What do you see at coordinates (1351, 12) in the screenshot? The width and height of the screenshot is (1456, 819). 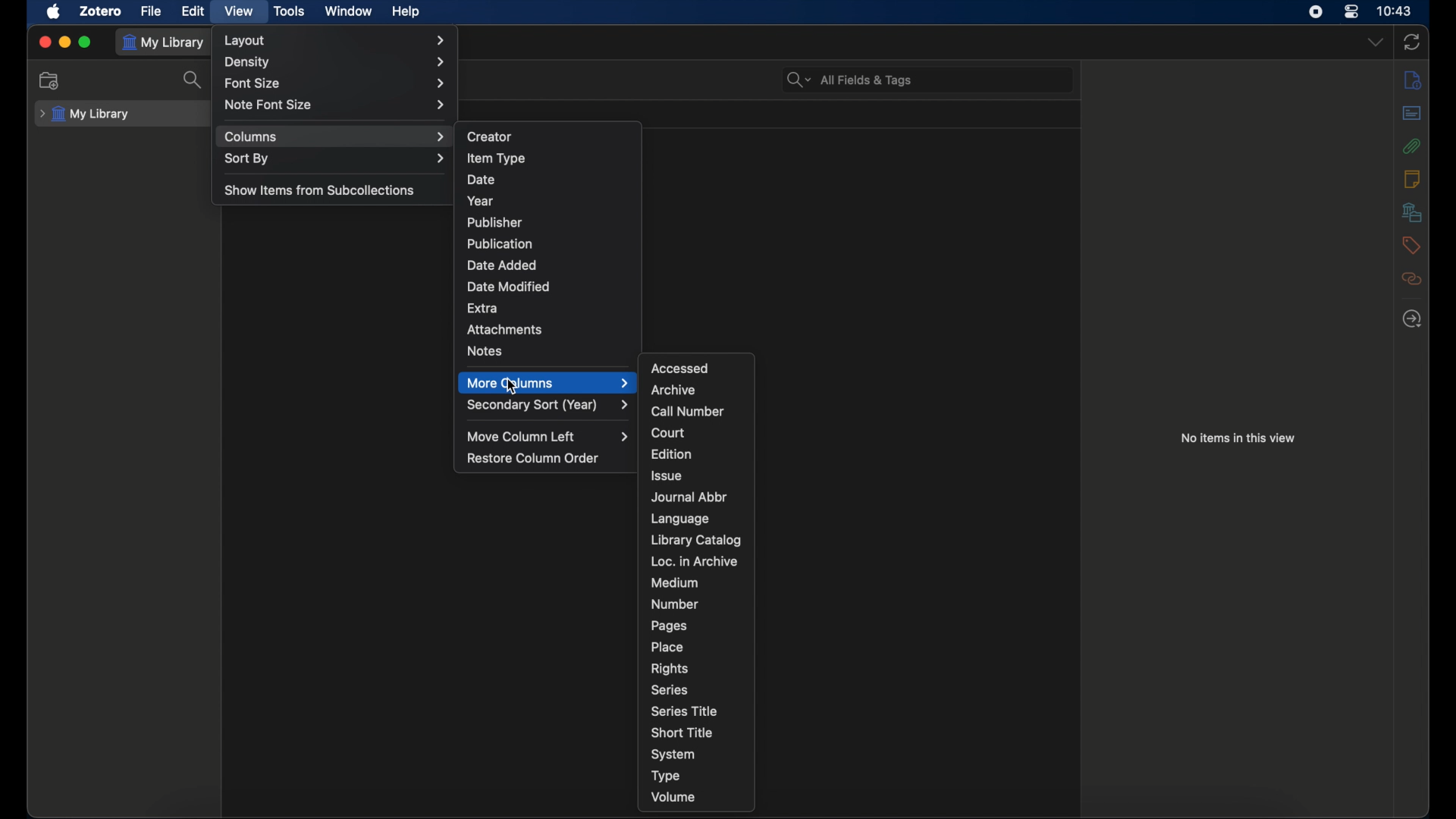 I see `control center` at bounding box center [1351, 12].